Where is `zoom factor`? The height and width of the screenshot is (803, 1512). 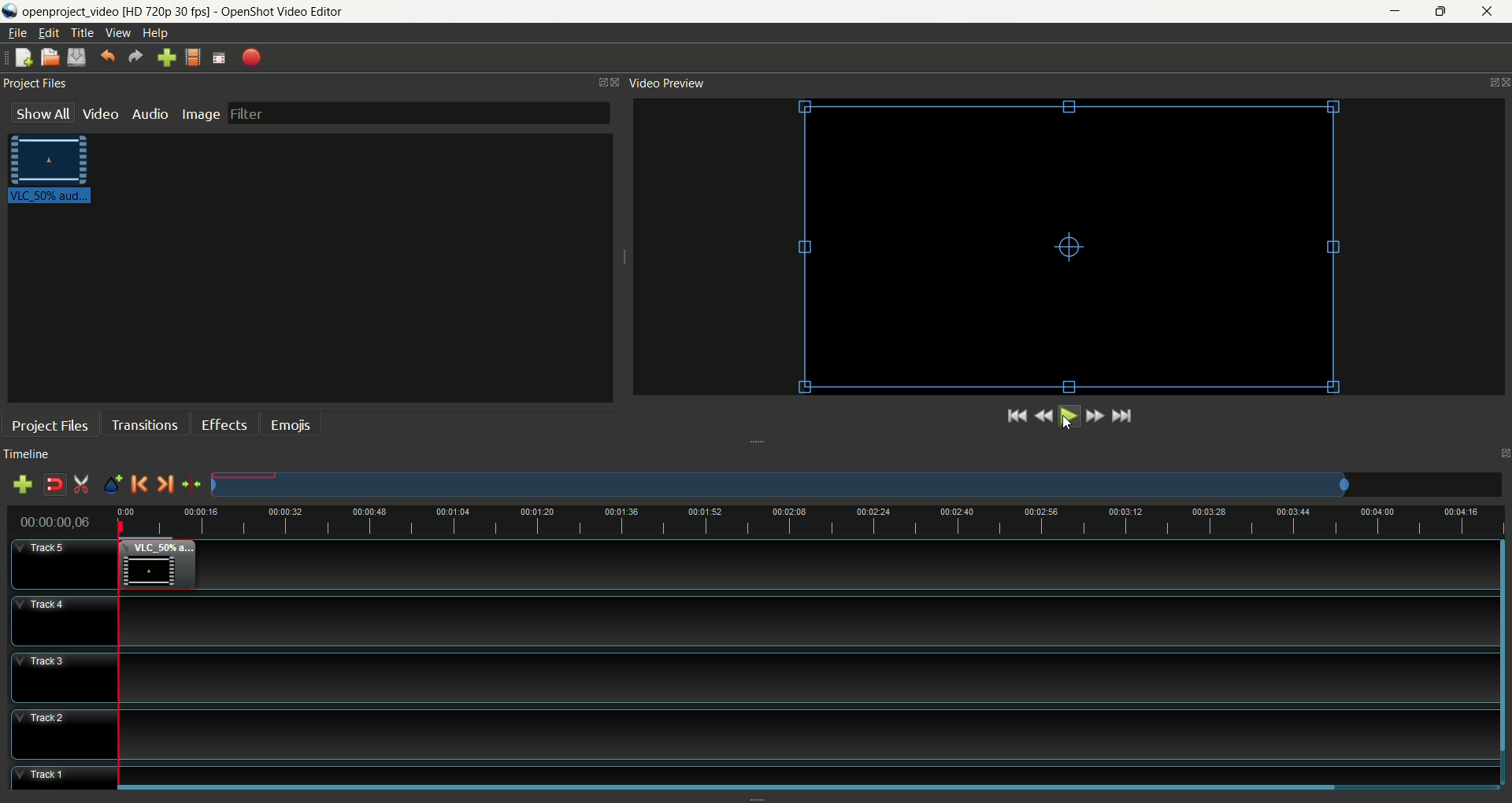
zoom factor is located at coordinates (857, 485).